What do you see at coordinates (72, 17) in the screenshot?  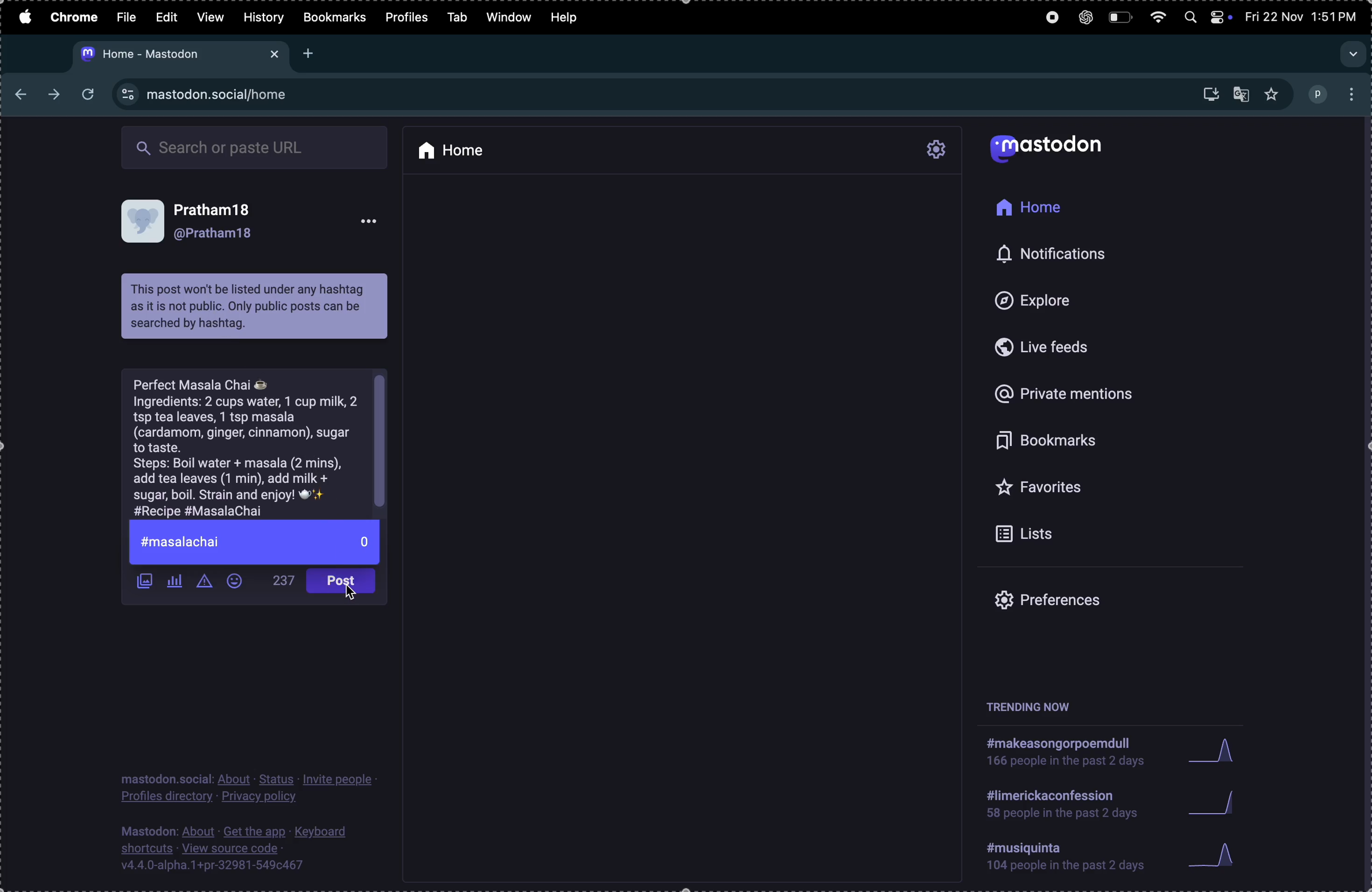 I see `chrome` at bounding box center [72, 17].